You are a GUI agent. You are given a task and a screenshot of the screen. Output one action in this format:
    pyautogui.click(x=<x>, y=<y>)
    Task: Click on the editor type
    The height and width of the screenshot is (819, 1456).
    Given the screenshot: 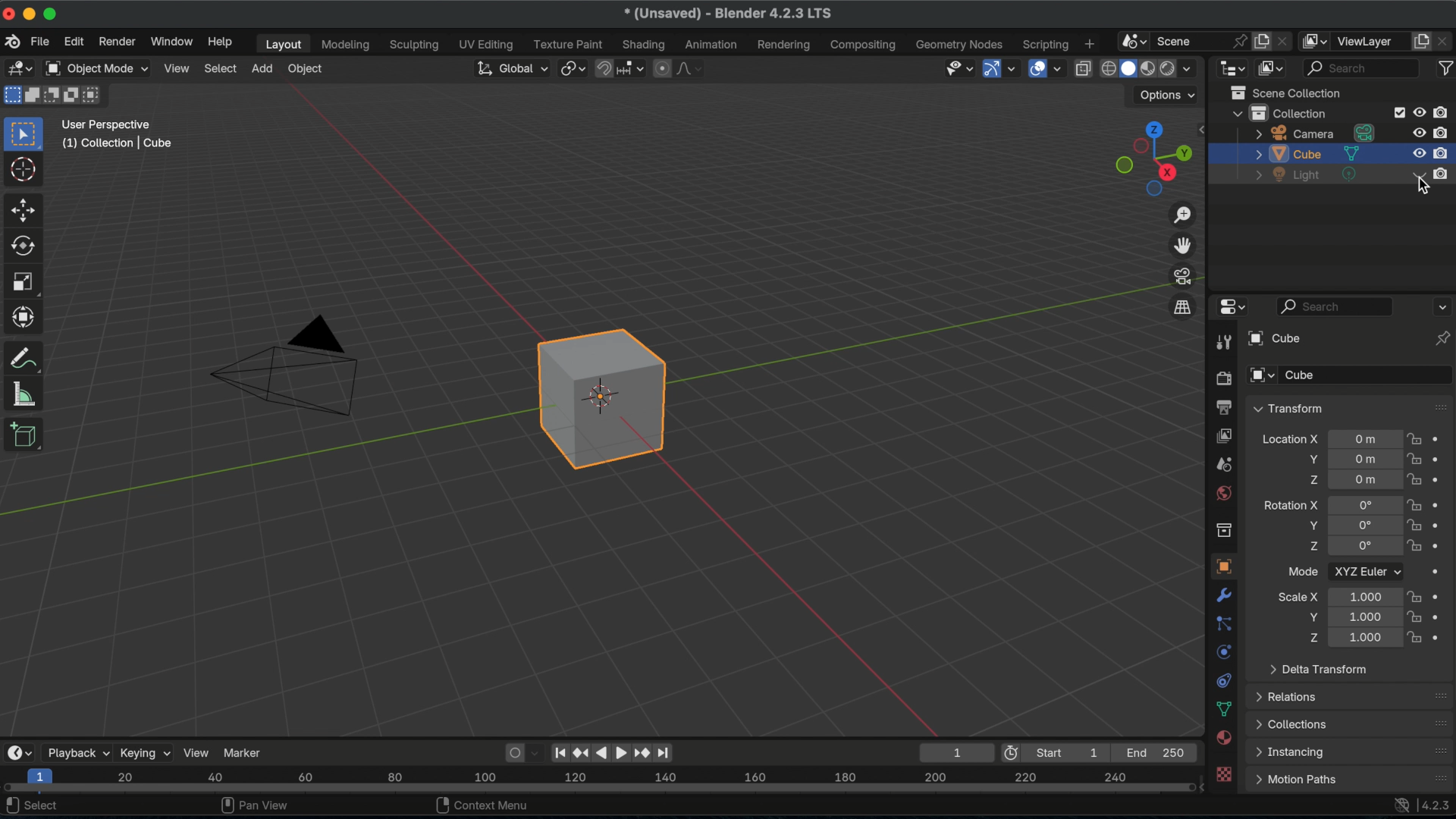 What is the action you would take?
    pyautogui.click(x=20, y=67)
    